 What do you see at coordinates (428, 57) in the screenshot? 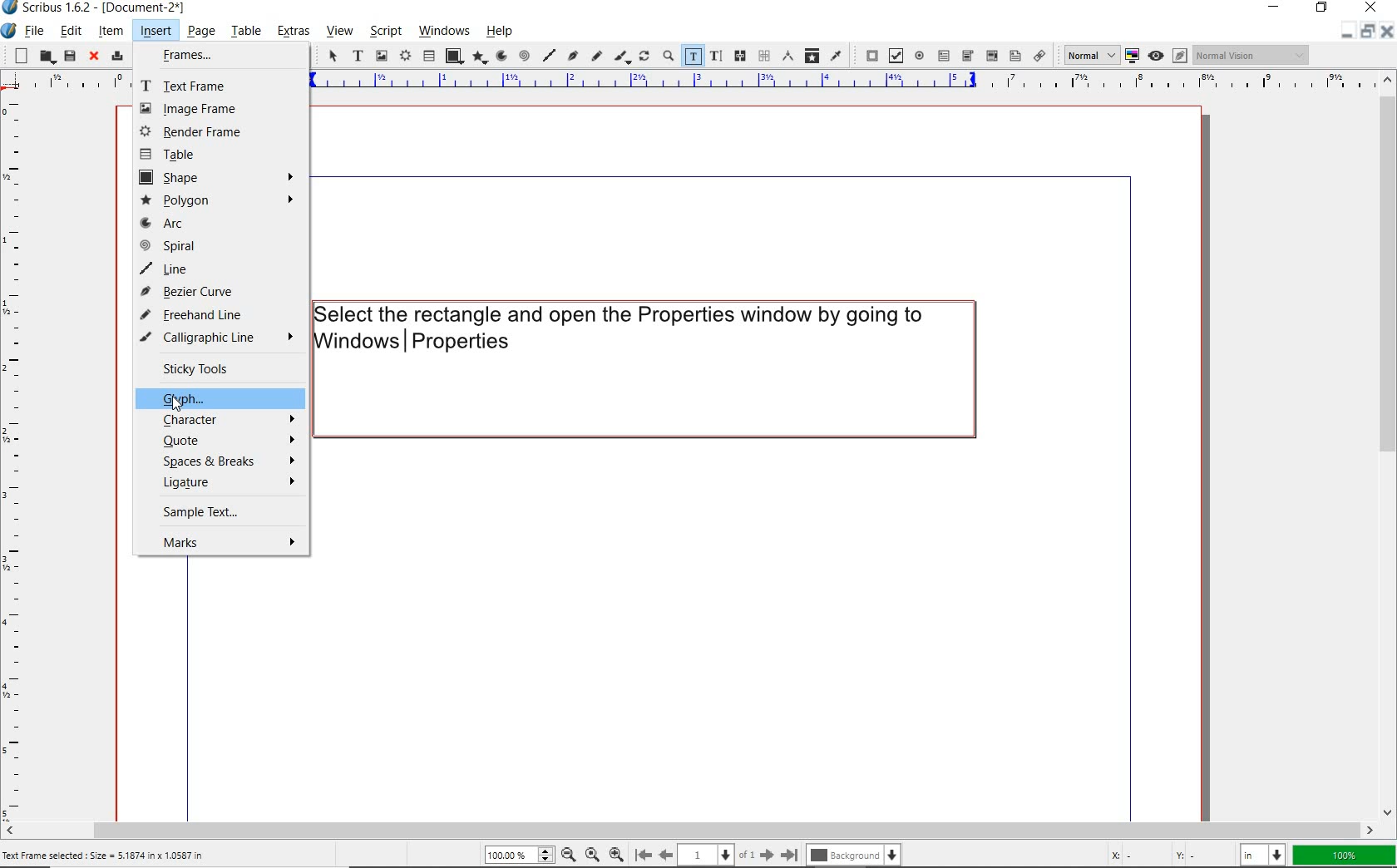
I see `table` at bounding box center [428, 57].